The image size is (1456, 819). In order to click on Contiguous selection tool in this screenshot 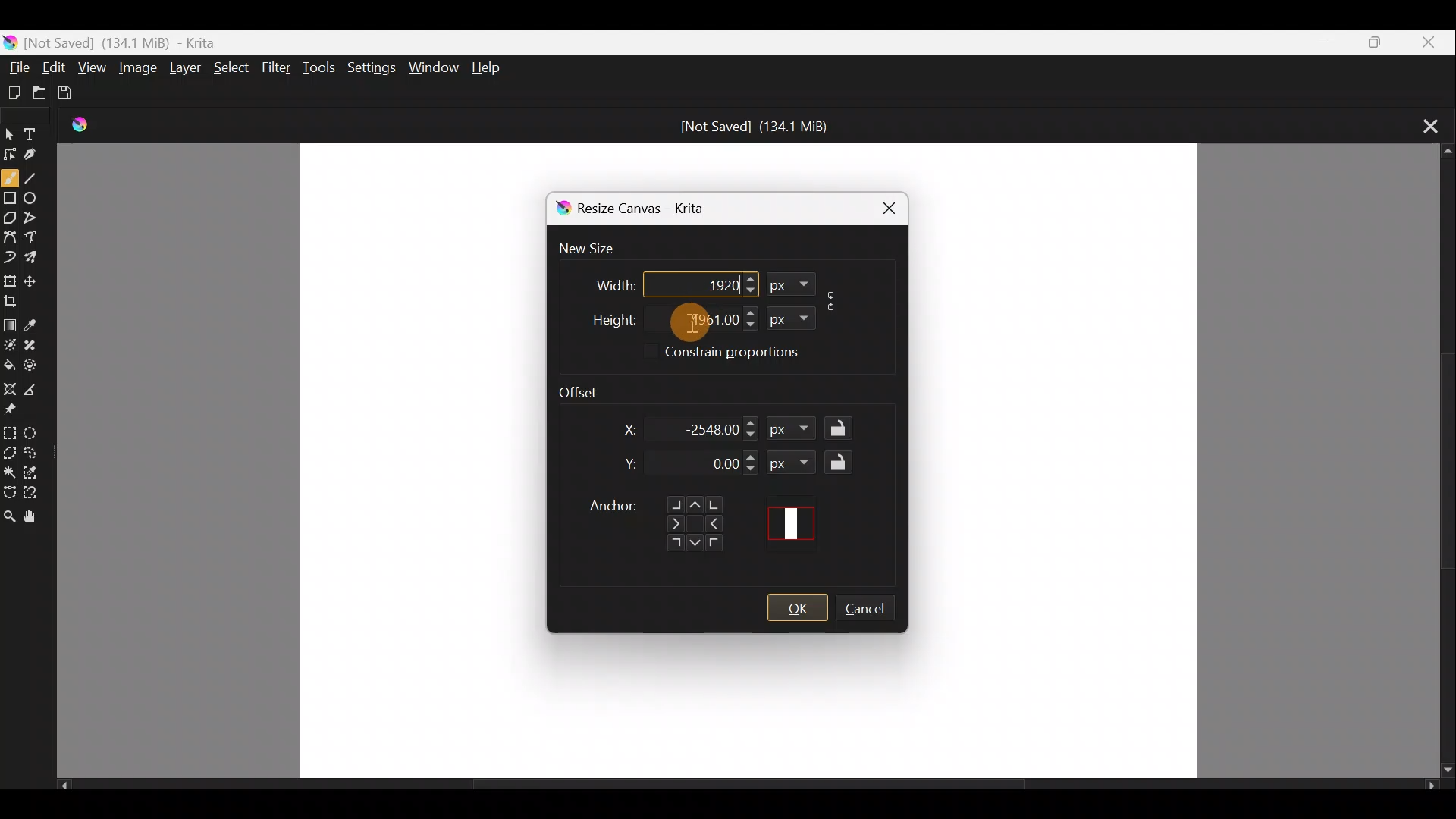, I will do `click(10, 472)`.